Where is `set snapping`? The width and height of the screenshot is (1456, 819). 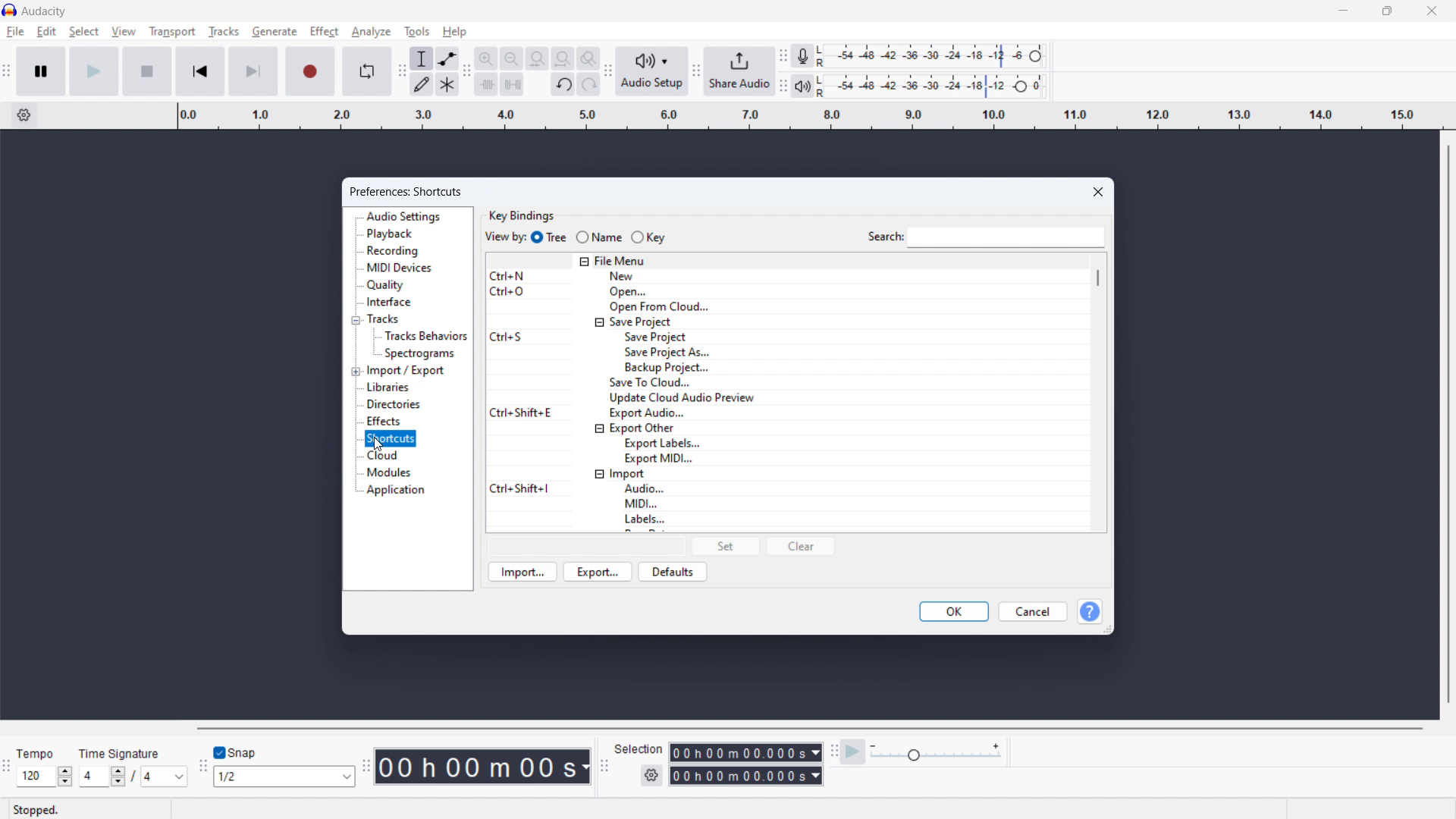
set snapping is located at coordinates (284, 776).